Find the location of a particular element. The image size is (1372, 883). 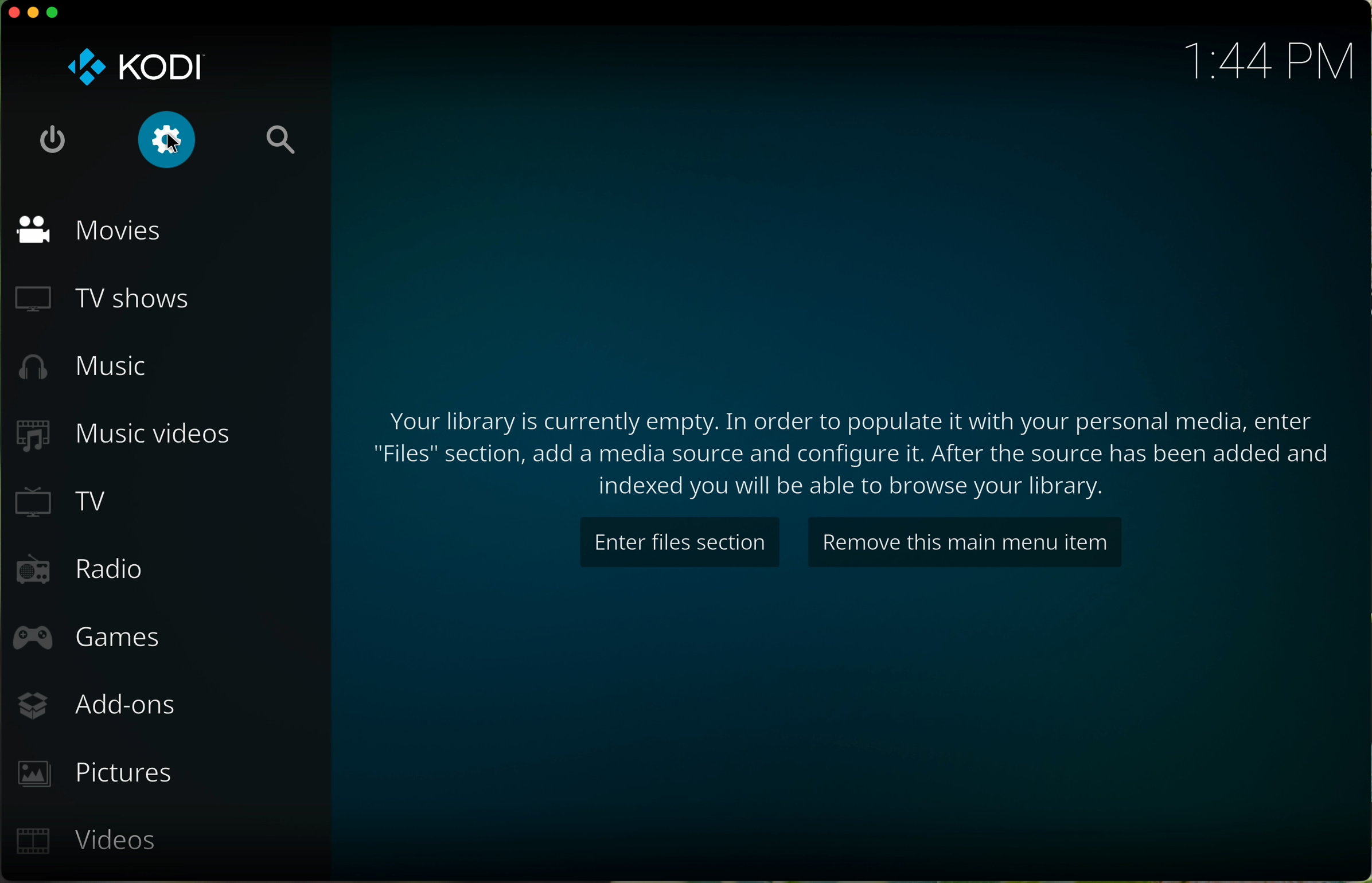

music videos is located at coordinates (127, 433).